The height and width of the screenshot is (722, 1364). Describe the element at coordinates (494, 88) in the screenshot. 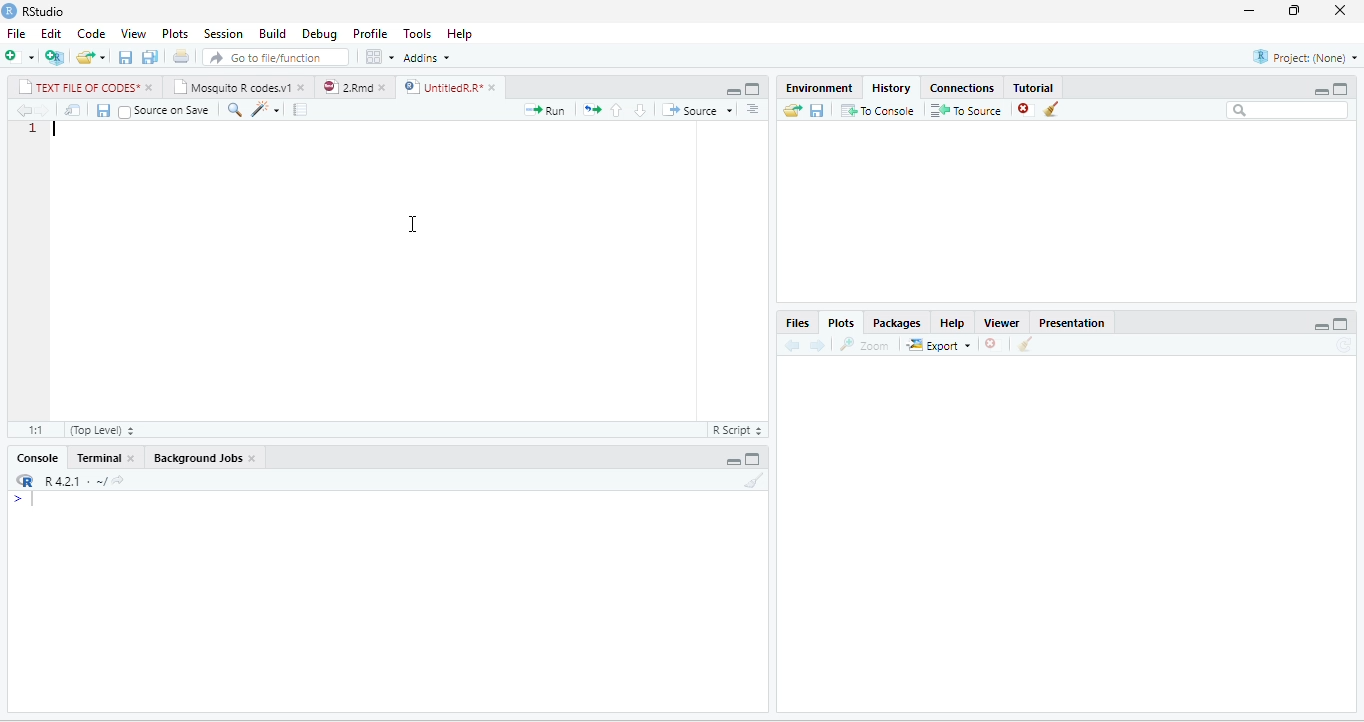

I see `close` at that location.